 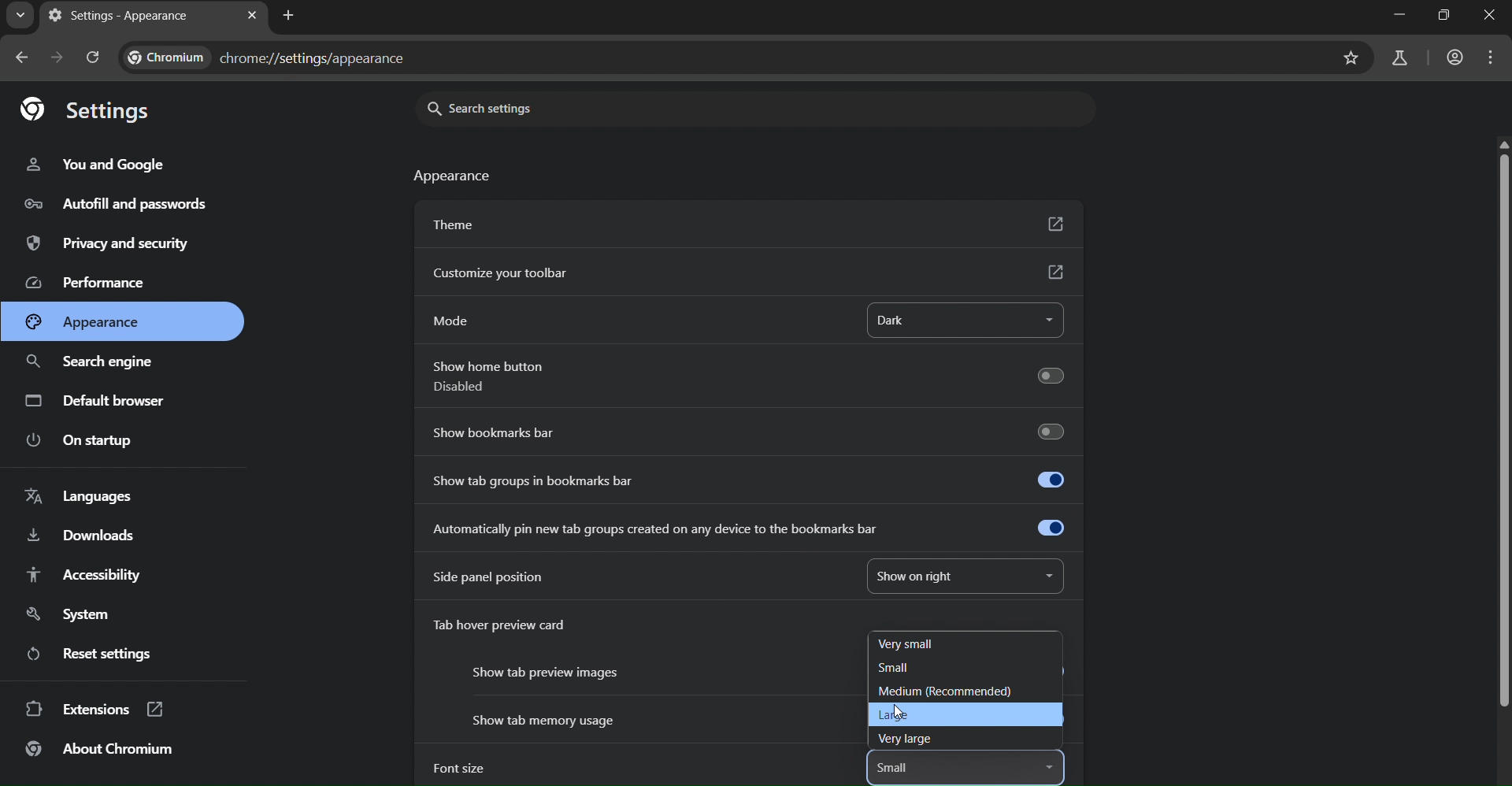 I want to click on side panel position, so click(x=488, y=577).